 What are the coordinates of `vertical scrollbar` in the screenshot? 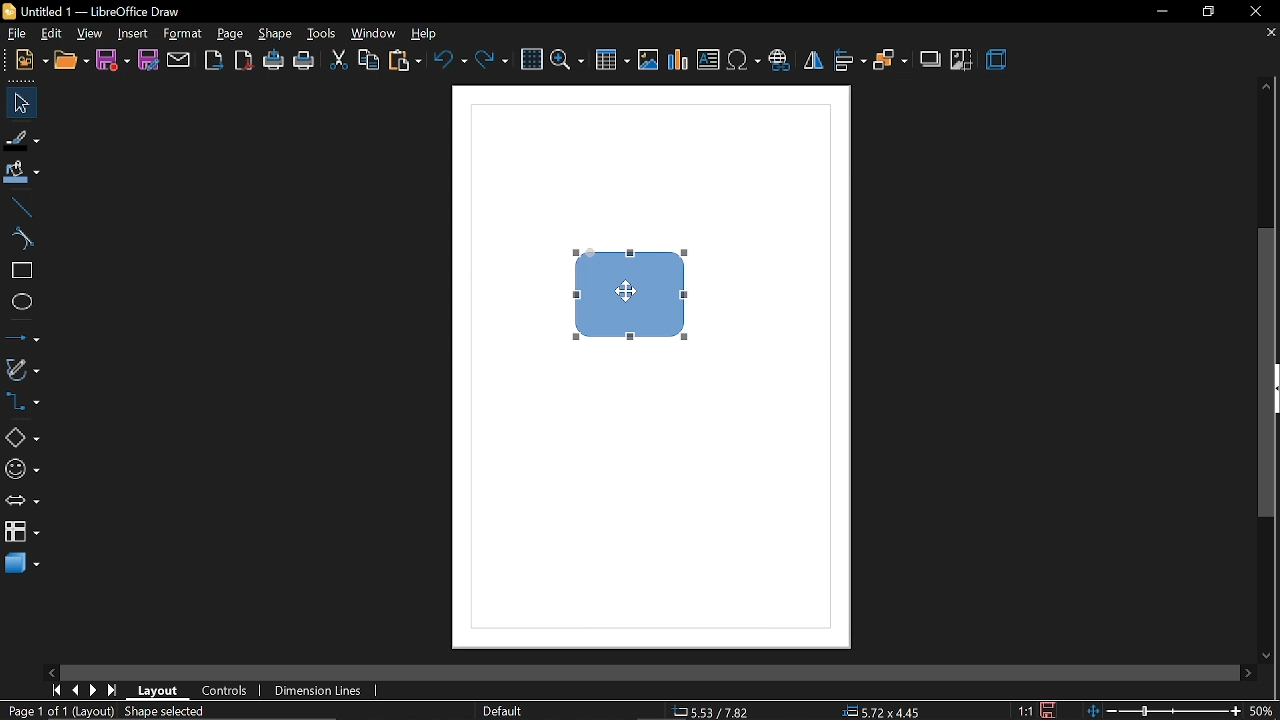 It's located at (1266, 373).